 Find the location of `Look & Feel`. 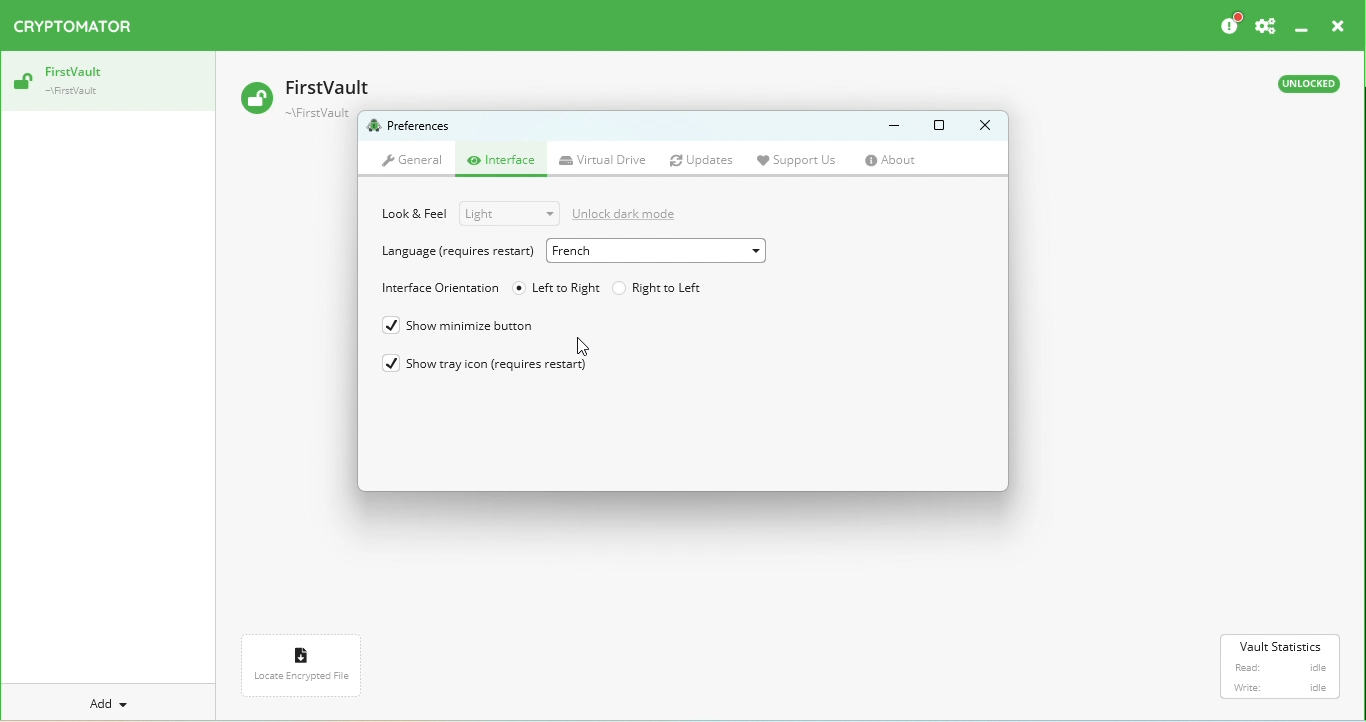

Look & Feel is located at coordinates (415, 214).